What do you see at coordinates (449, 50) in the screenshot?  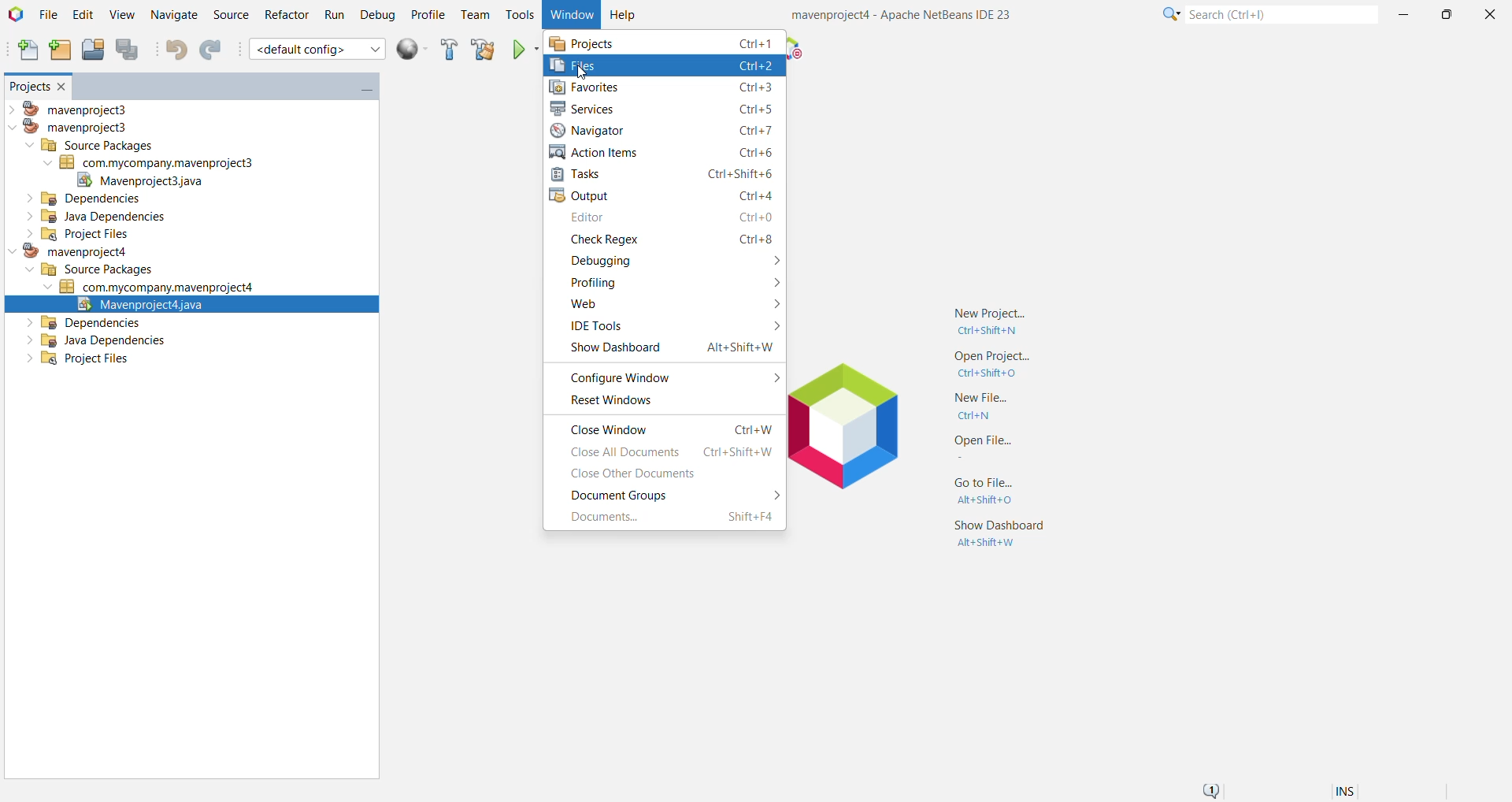 I see `Build Project` at bounding box center [449, 50].